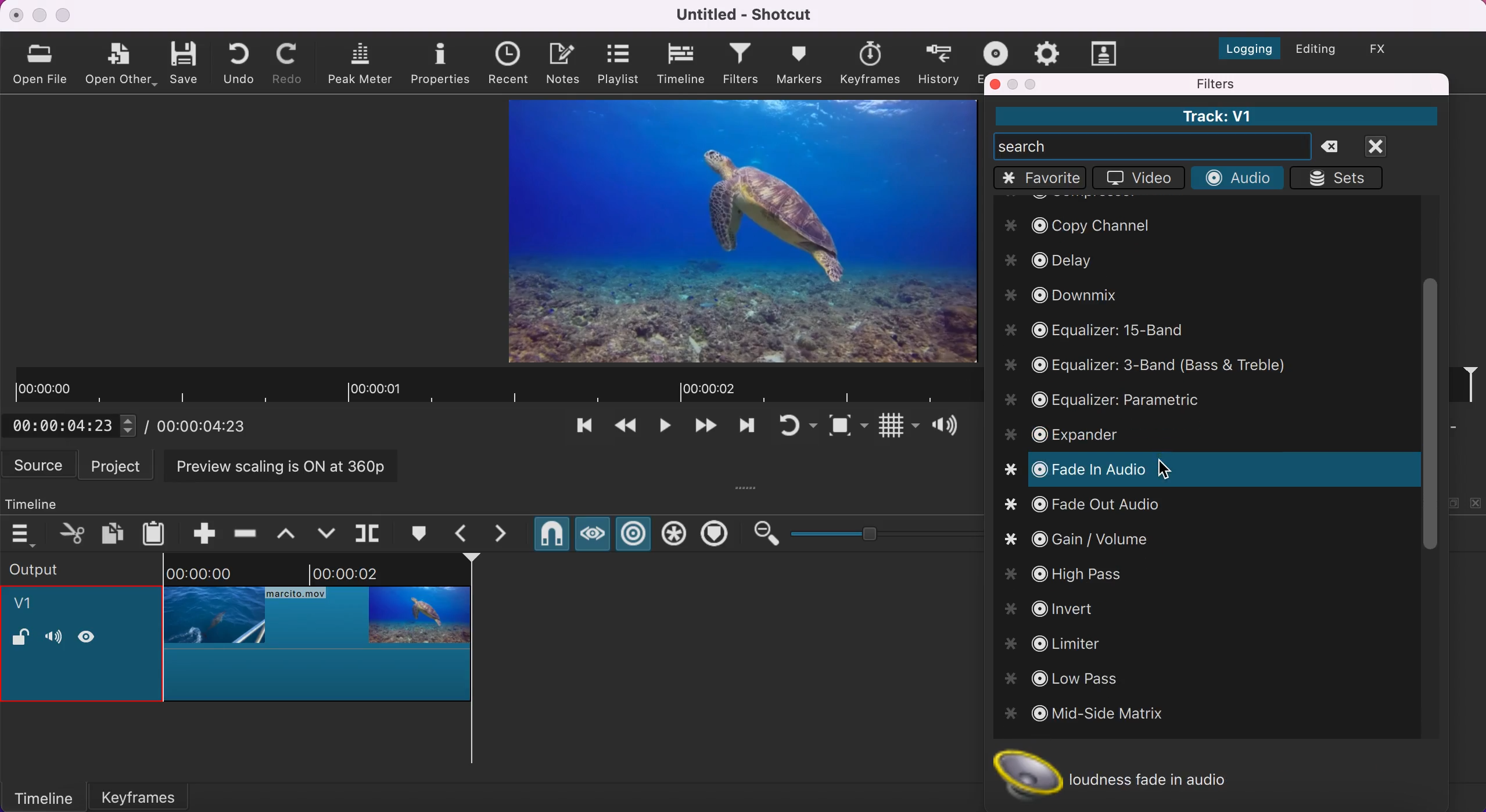  I want to click on paste, so click(157, 531).